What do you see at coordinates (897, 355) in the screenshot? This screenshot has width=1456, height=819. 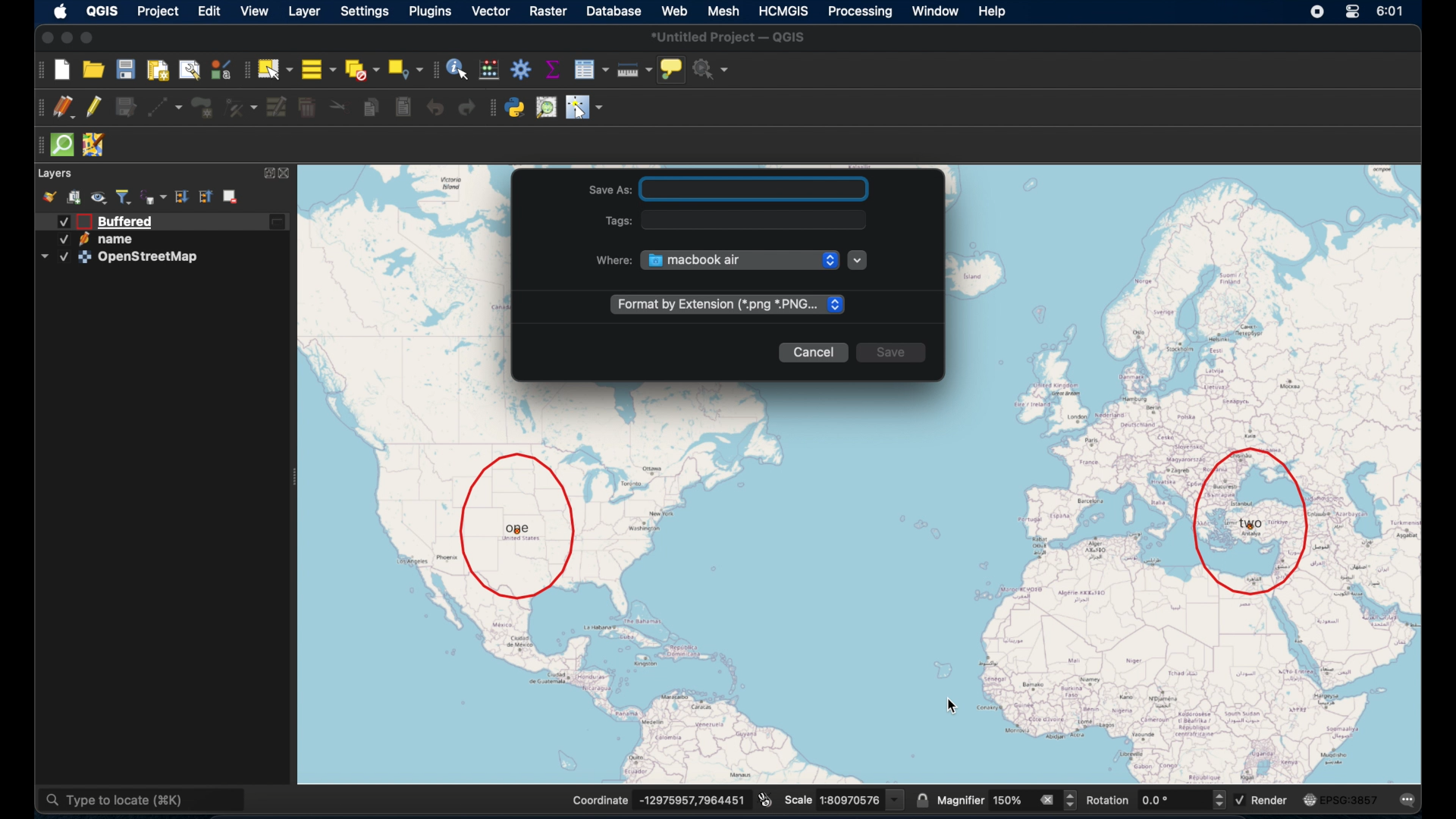 I see `save` at bounding box center [897, 355].